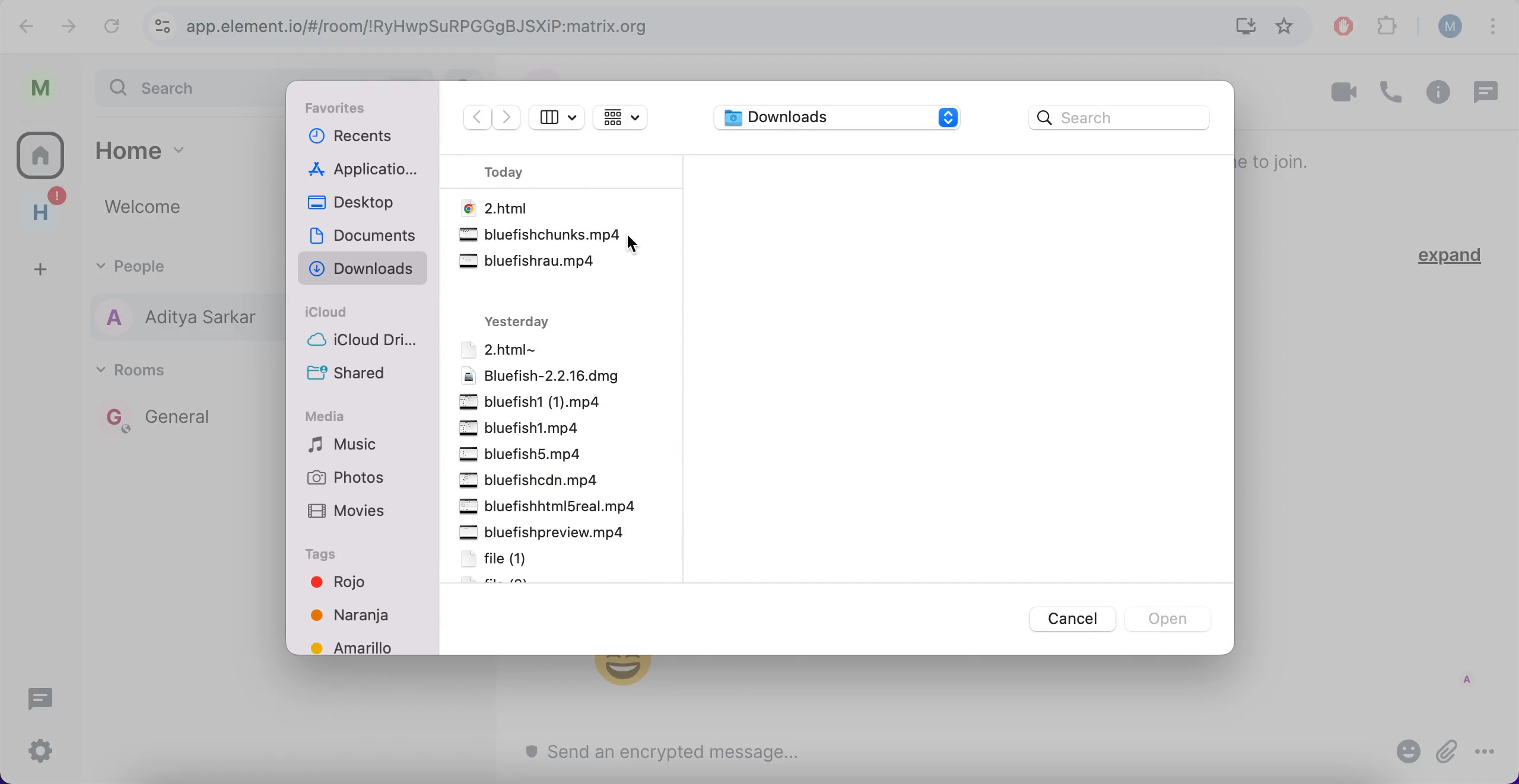 Image resolution: width=1519 pixels, height=784 pixels. Describe the element at coordinates (115, 25) in the screenshot. I see `reload current page` at that location.